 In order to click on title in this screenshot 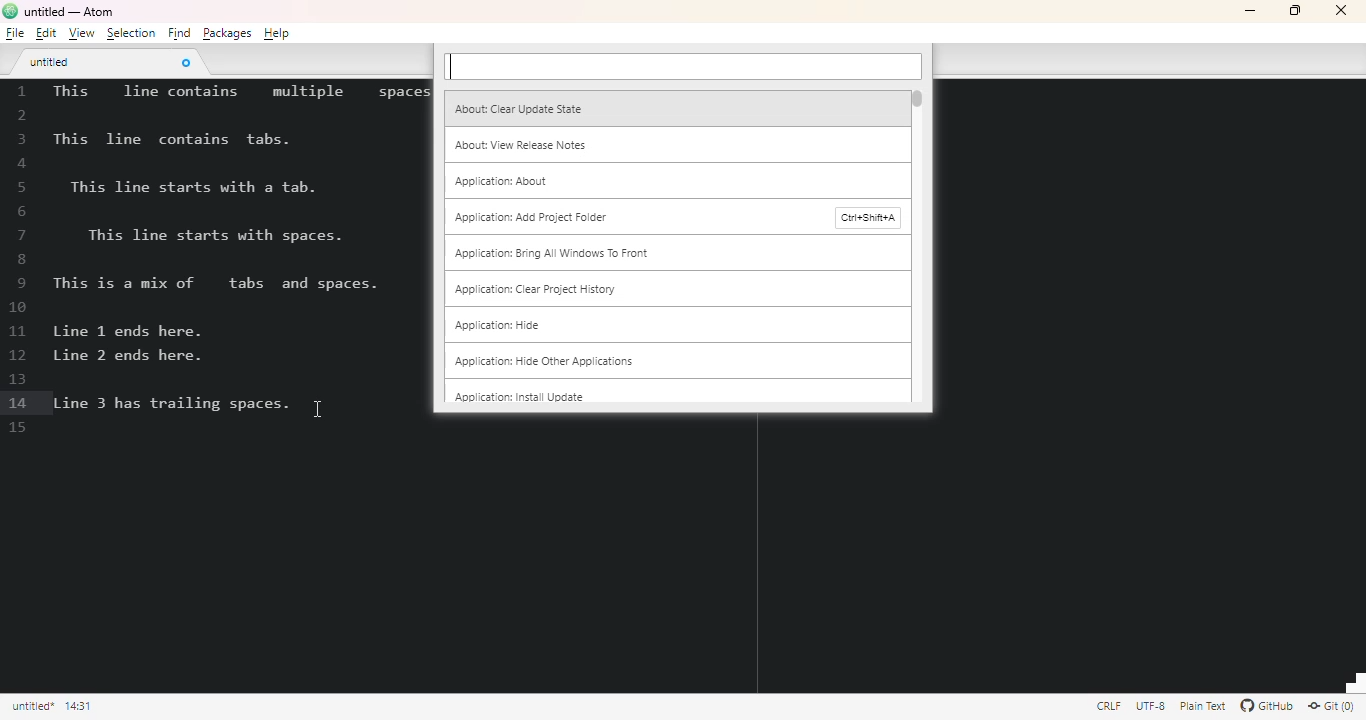, I will do `click(69, 12)`.